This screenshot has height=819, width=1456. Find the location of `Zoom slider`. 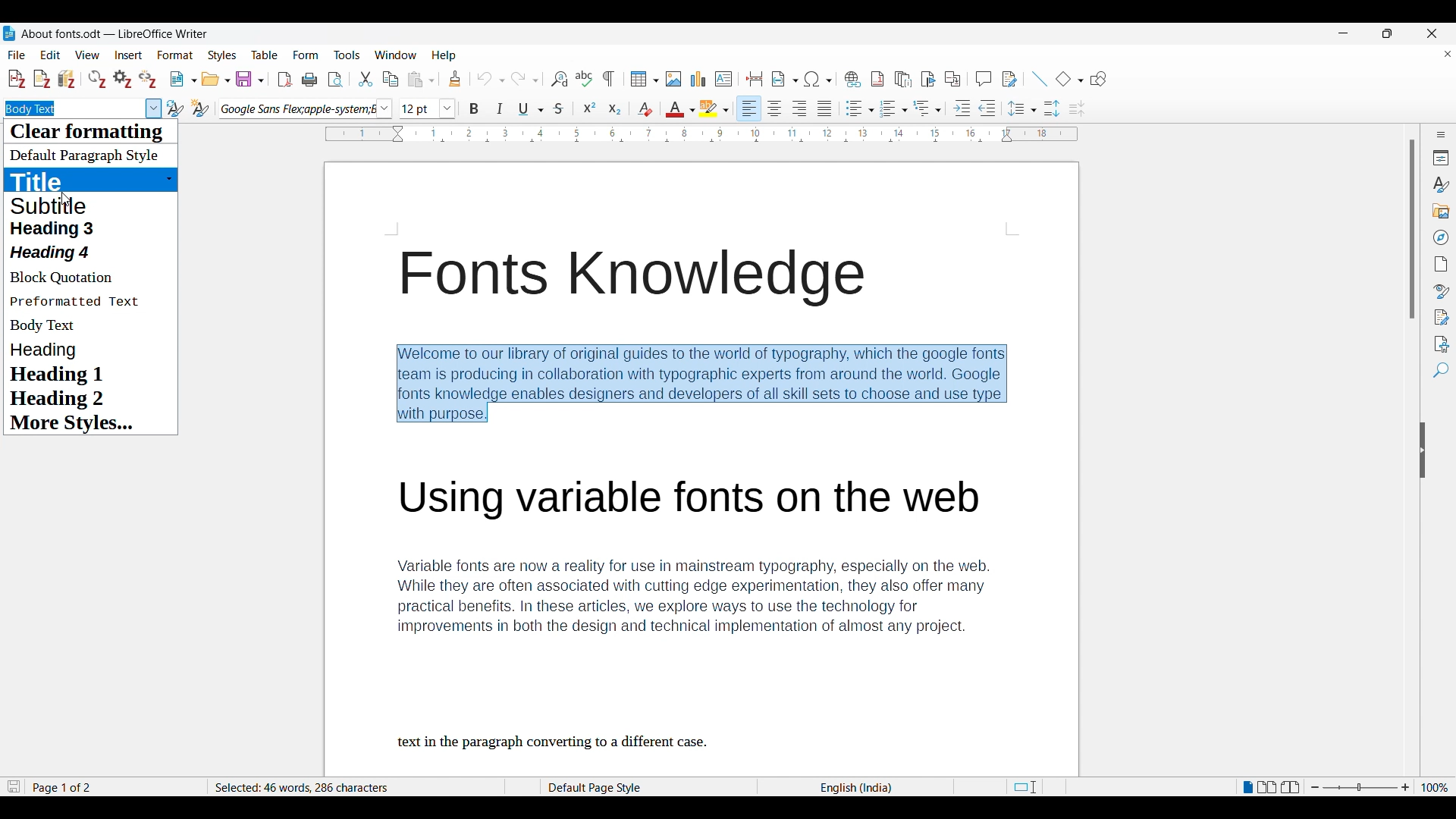

Zoom slider is located at coordinates (1360, 786).